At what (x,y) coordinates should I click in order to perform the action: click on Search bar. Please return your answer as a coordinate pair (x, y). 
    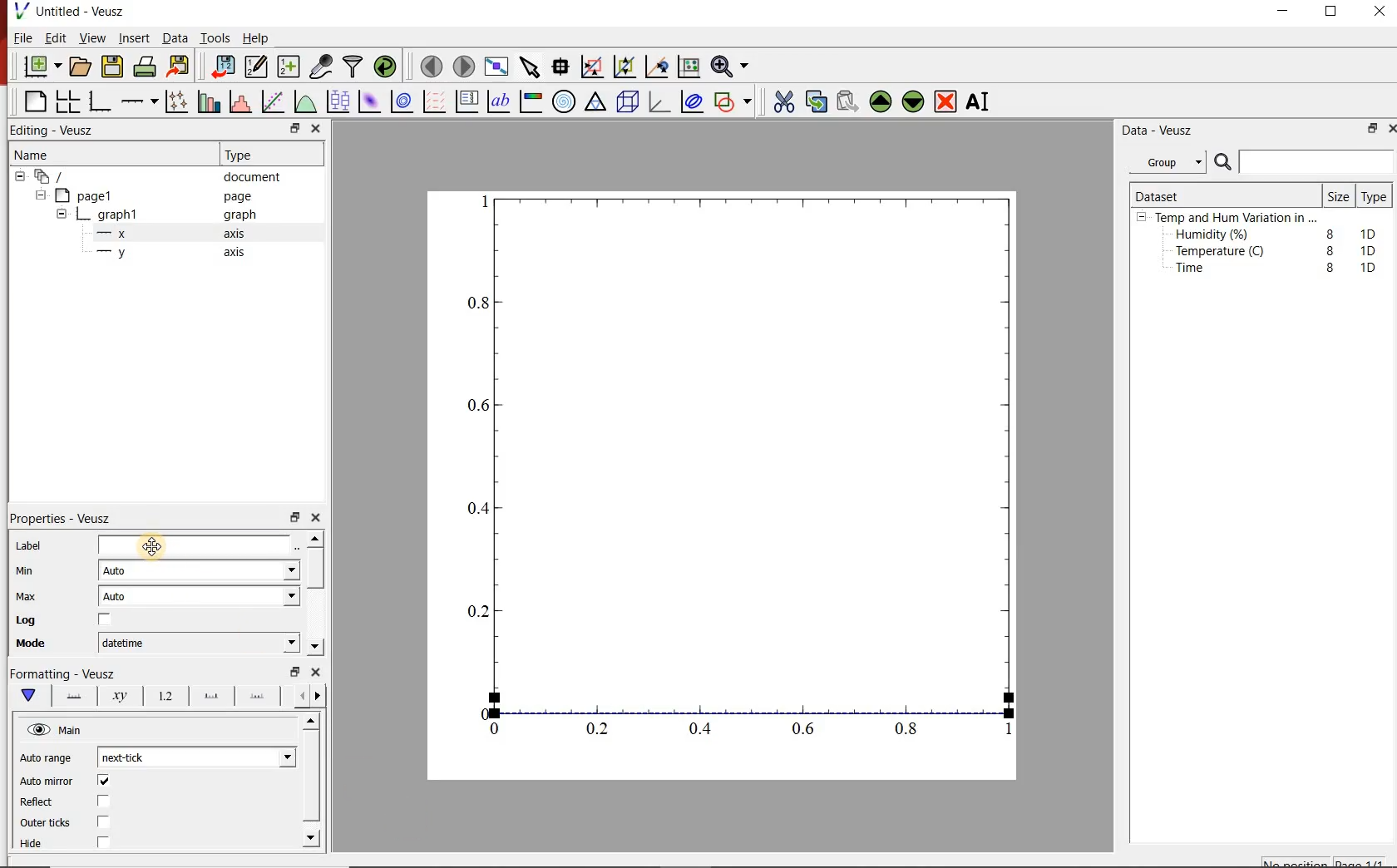
    Looking at the image, I should click on (1304, 162).